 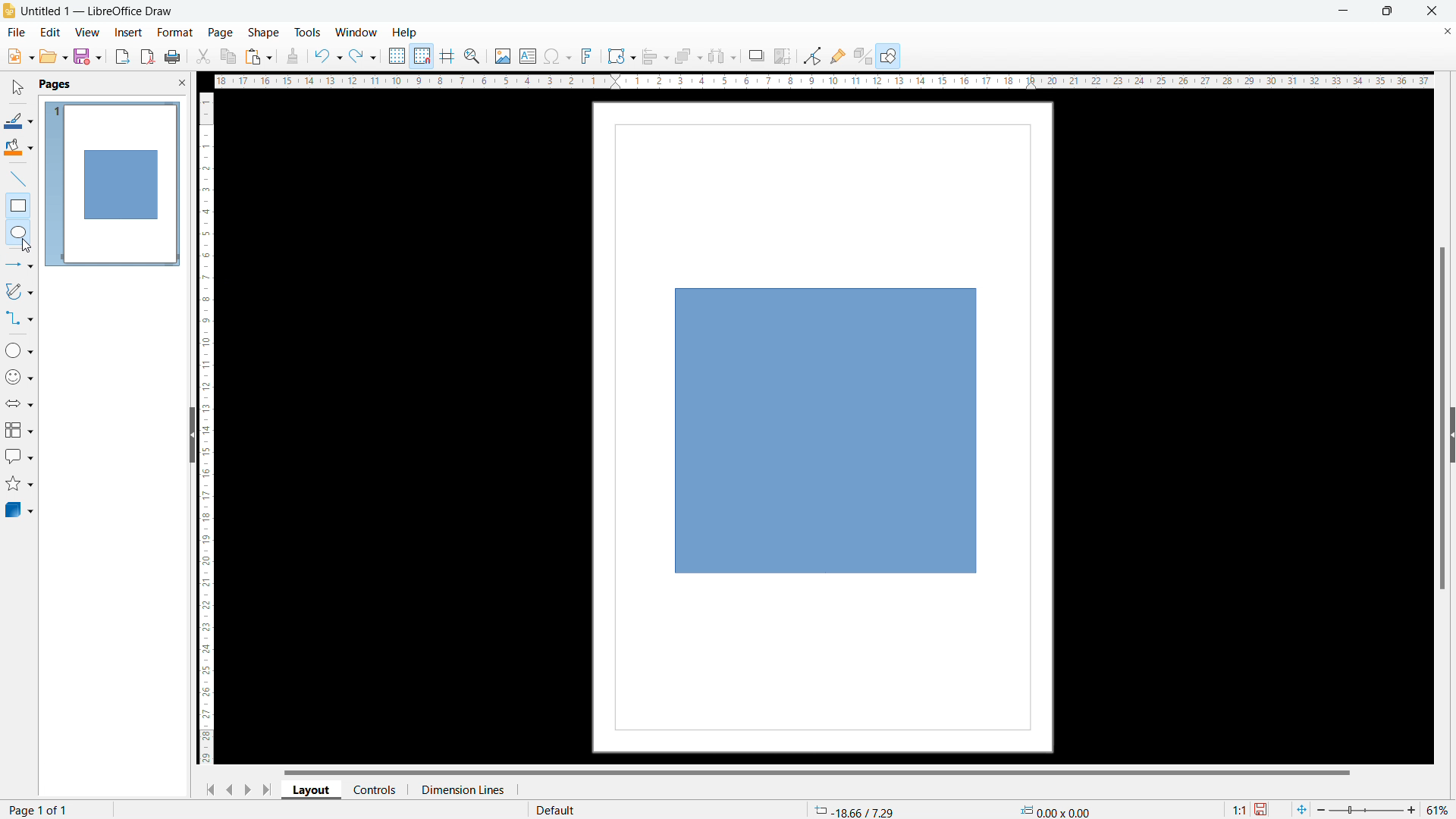 What do you see at coordinates (817, 771) in the screenshot?
I see `horizontal scrollbar` at bounding box center [817, 771].